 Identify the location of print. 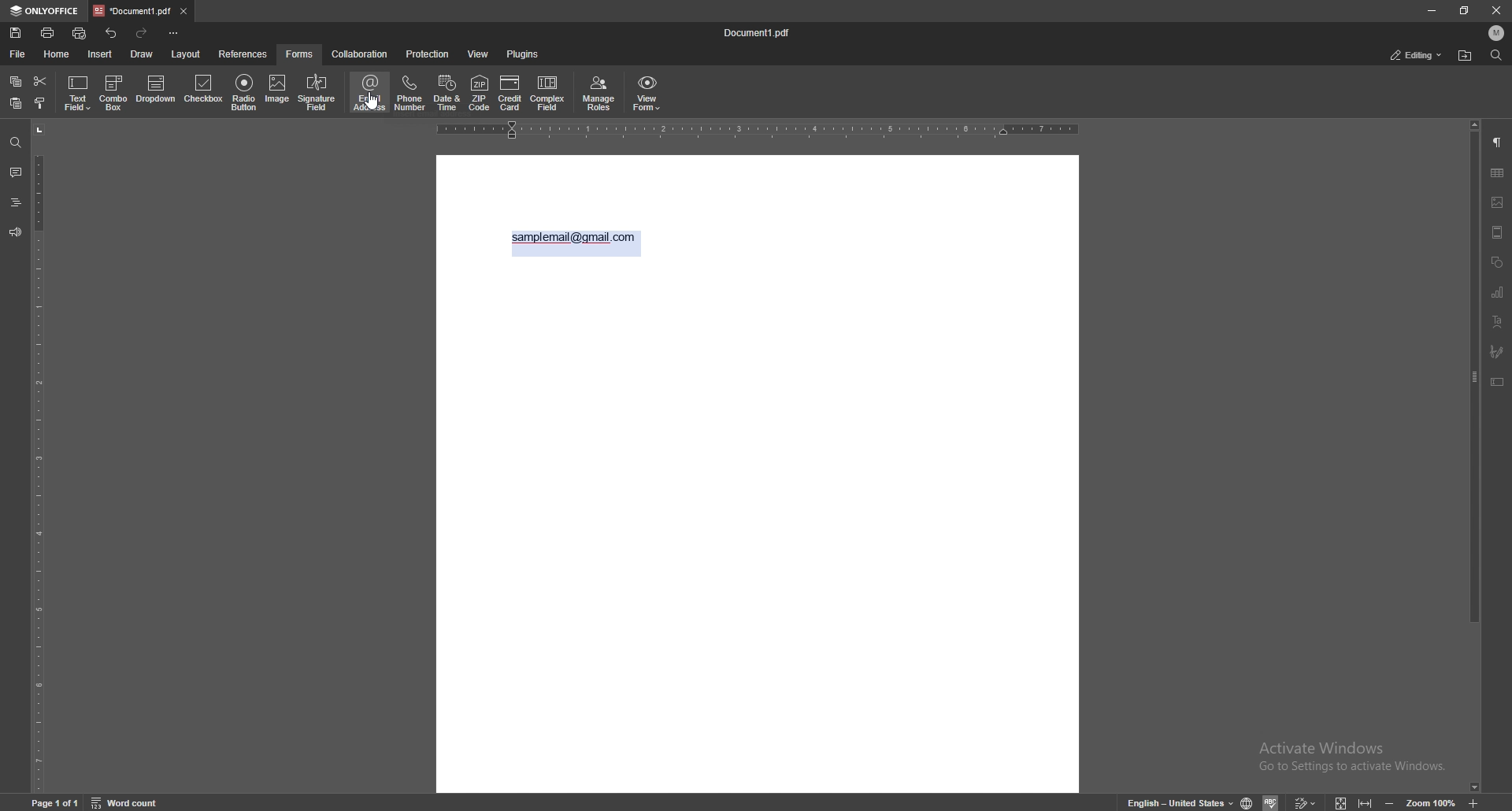
(48, 32).